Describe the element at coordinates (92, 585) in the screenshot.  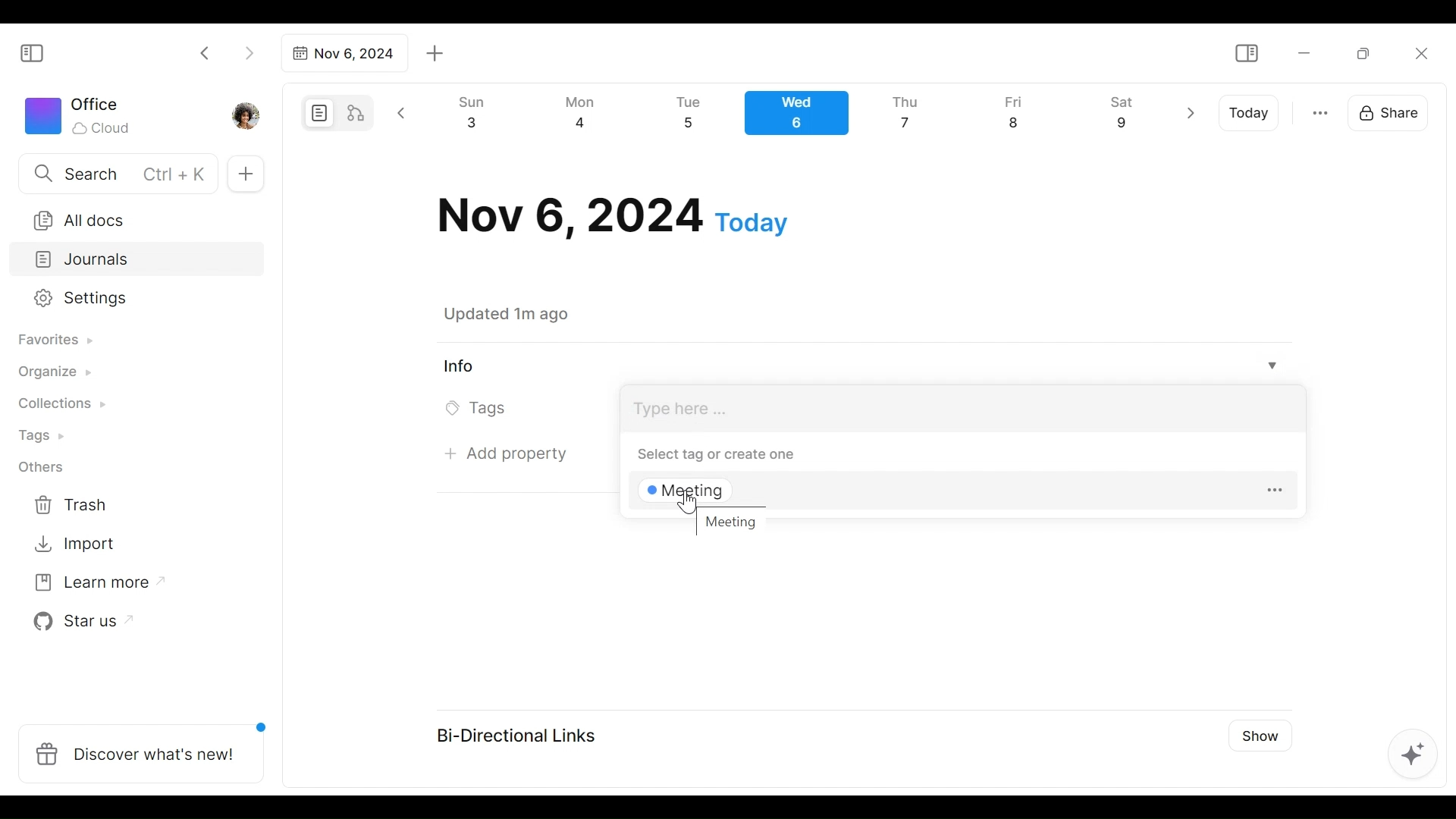
I see `Learn more` at that location.